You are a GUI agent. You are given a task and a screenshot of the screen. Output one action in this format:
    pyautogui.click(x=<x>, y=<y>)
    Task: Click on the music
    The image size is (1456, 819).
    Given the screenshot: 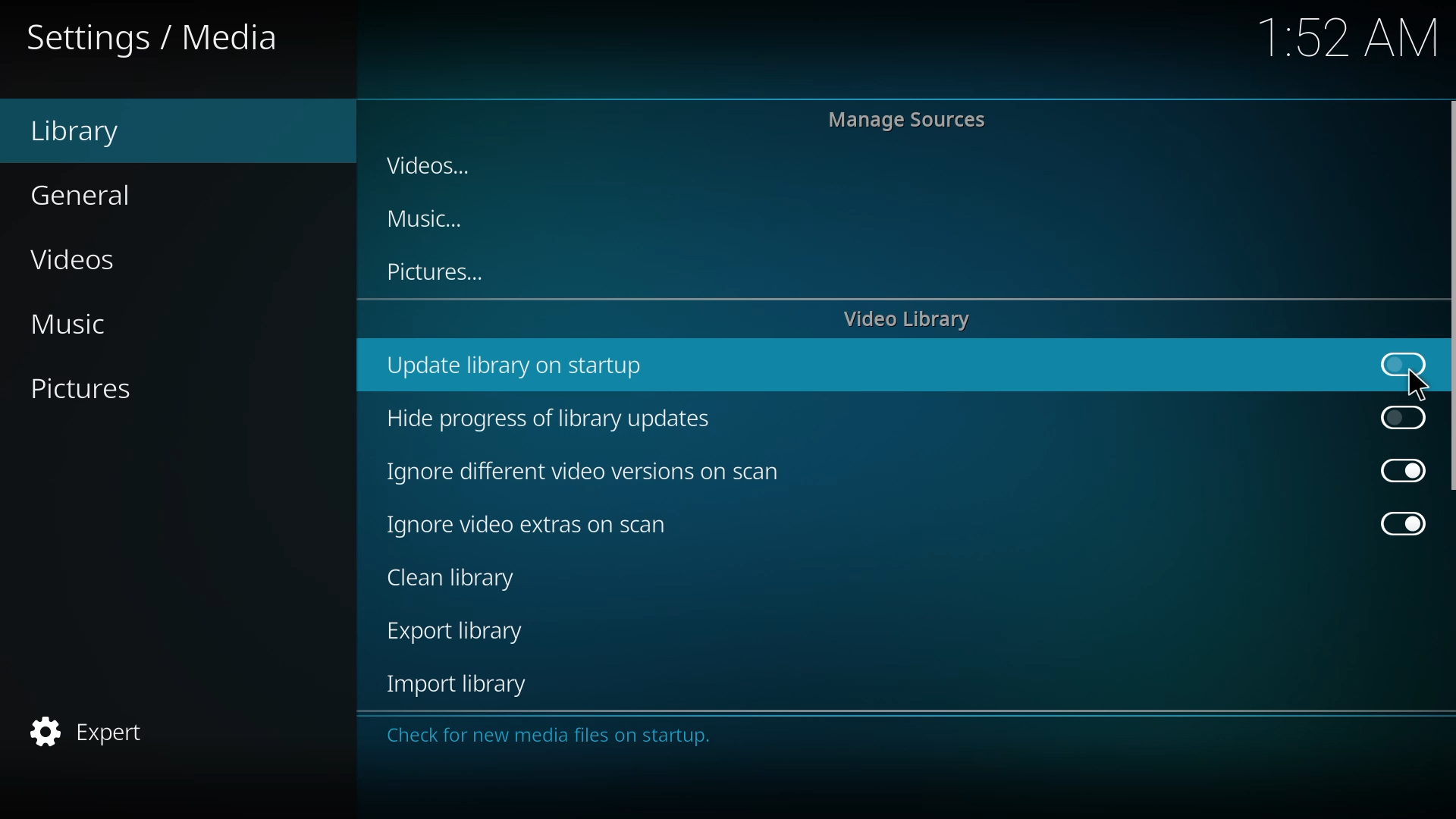 What is the action you would take?
    pyautogui.click(x=430, y=219)
    